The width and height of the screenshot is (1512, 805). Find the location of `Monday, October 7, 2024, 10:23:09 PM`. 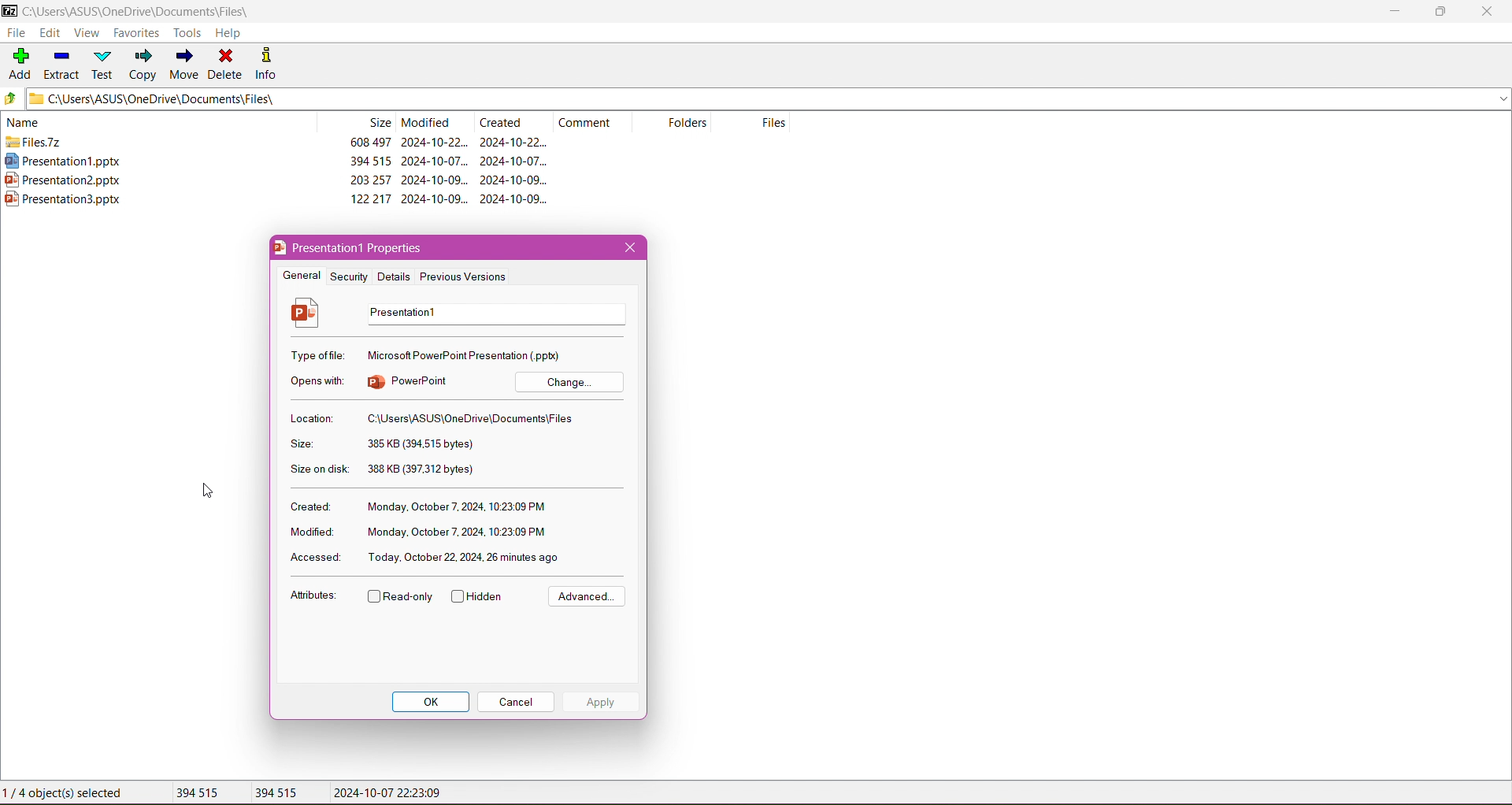

Monday, October 7, 2024, 10:23:09 PM is located at coordinates (465, 535).